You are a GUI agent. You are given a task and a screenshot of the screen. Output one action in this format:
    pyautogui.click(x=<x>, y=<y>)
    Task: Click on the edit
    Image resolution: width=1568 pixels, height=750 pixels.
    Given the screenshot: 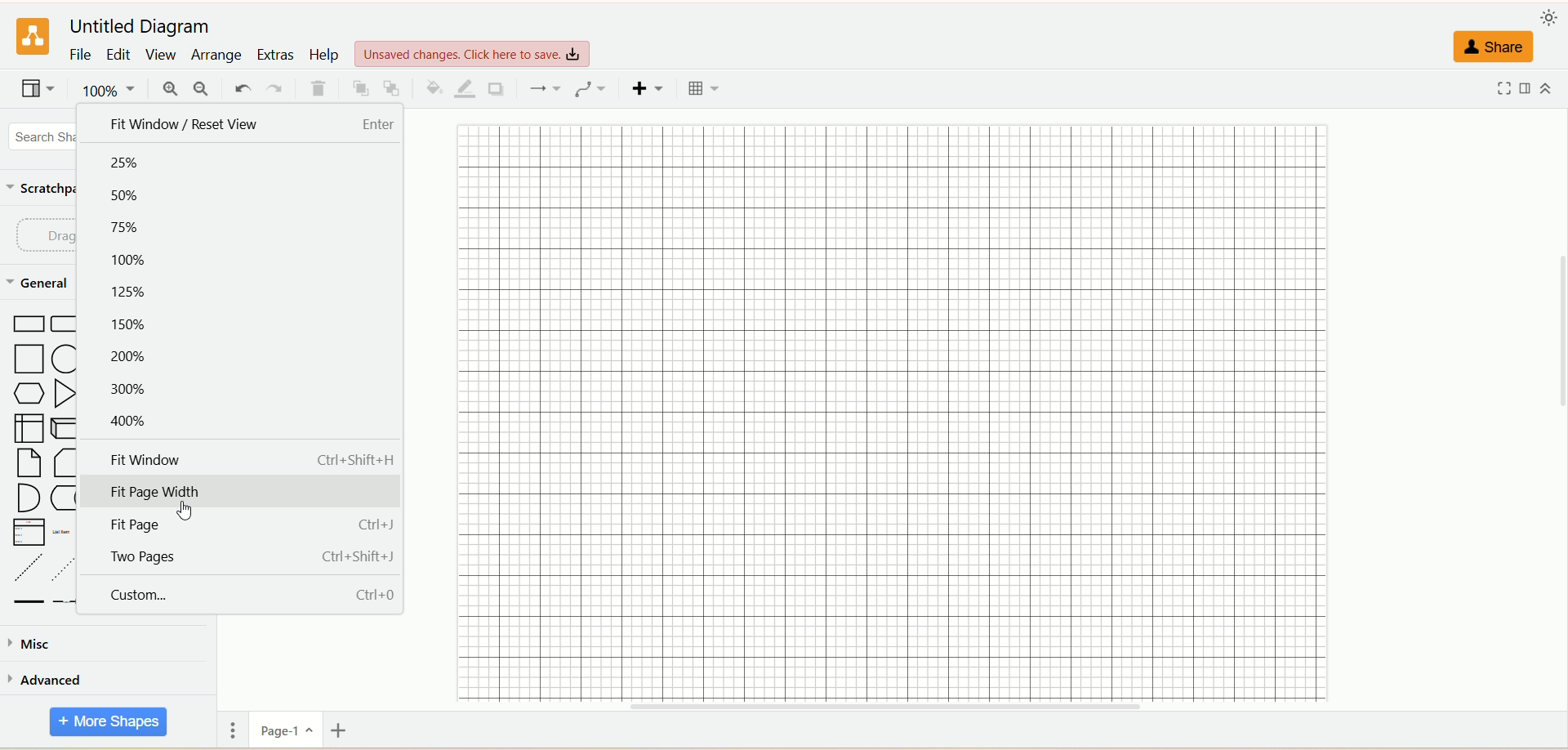 What is the action you would take?
    pyautogui.click(x=119, y=54)
    